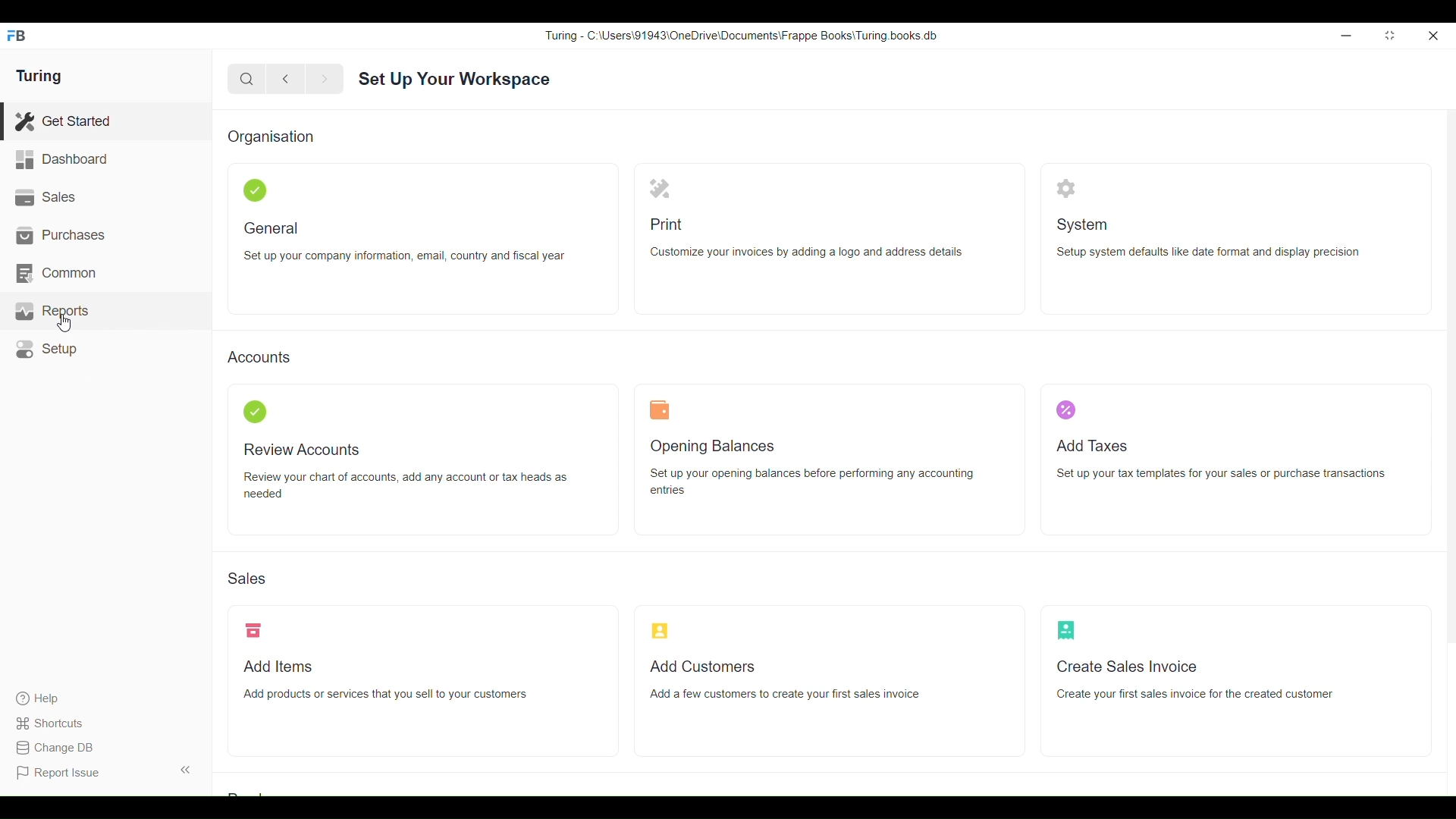 The image size is (1456, 819). I want to click on Create Sales Invoice icon, so click(1066, 630).